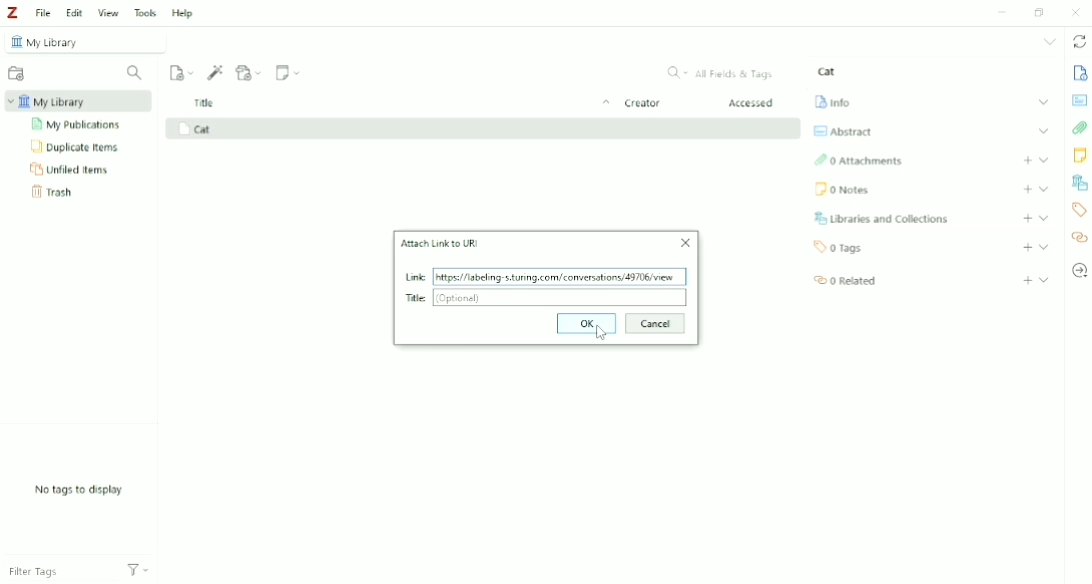 The image size is (1092, 584). What do you see at coordinates (841, 131) in the screenshot?
I see `Abstract` at bounding box center [841, 131].